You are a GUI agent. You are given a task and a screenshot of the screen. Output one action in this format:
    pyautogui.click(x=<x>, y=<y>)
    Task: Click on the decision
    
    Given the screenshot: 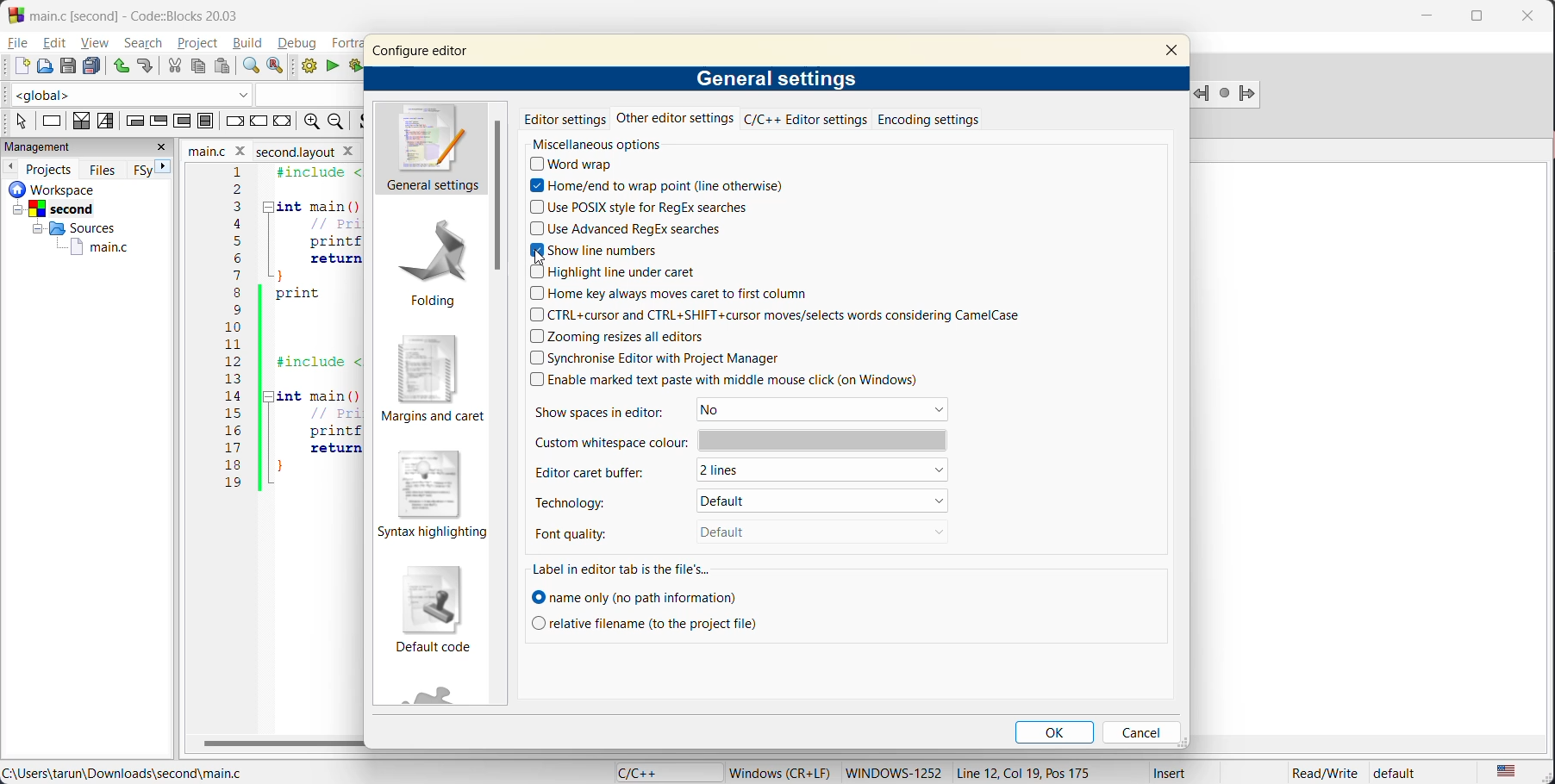 What is the action you would take?
    pyautogui.click(x=78, y=121)
    